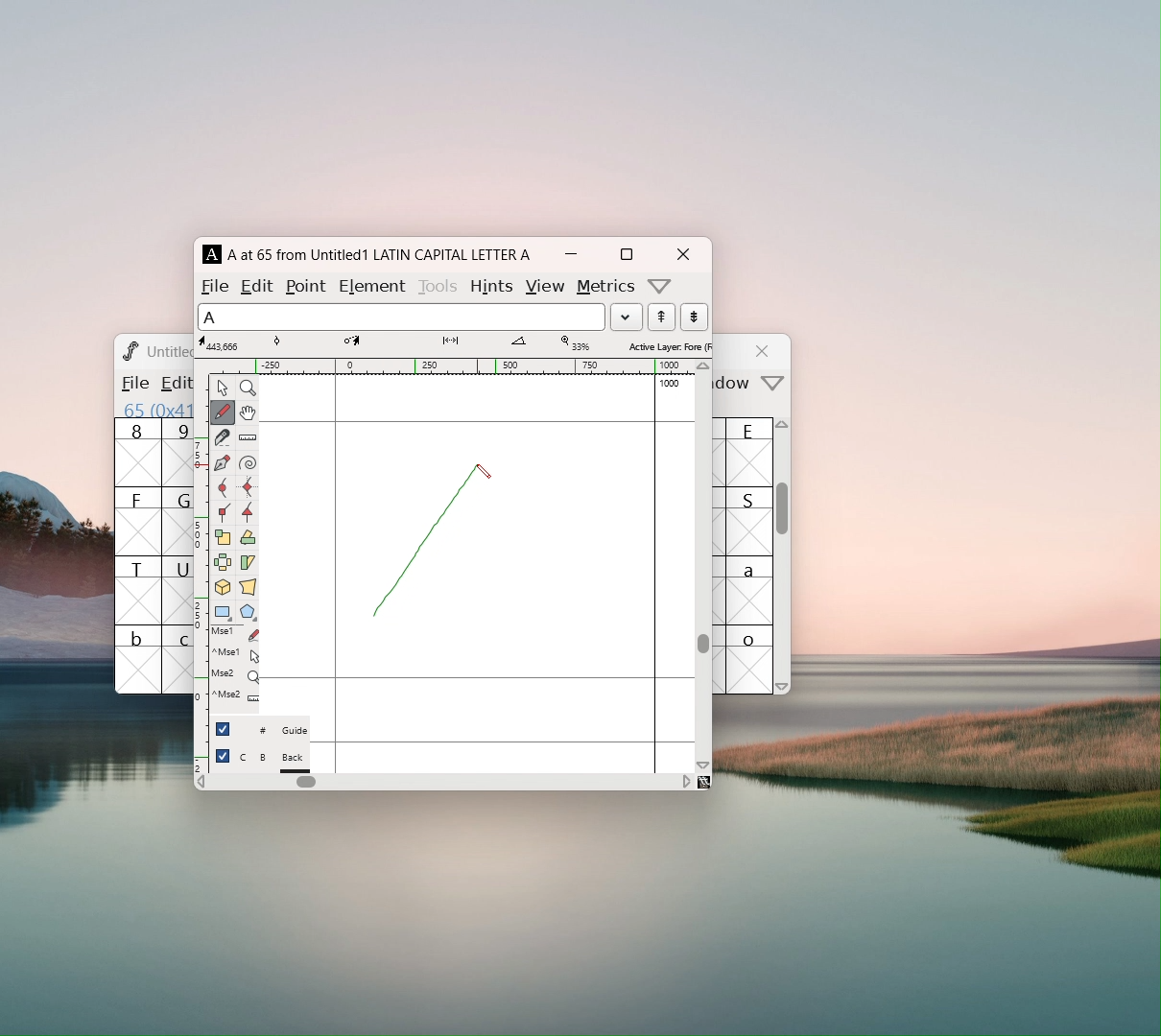 This screenshot has height=1036, width=1161. What do you see at coordinates (247, 539) in the screenshot?
I see `rotate the selection` at bounding box center [247, 539].